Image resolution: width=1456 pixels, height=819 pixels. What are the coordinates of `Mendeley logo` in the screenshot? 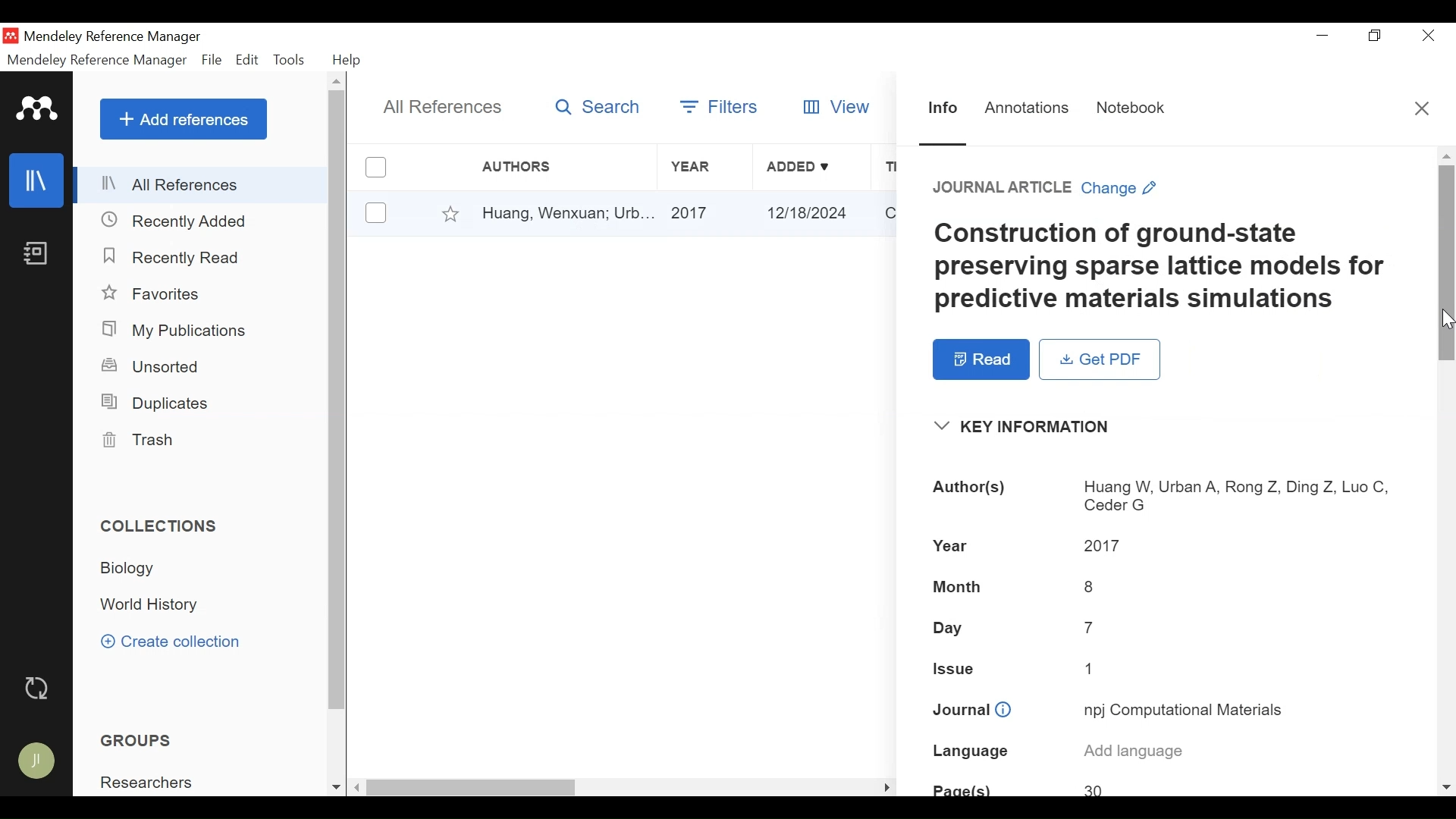 It's located at (37, 109).